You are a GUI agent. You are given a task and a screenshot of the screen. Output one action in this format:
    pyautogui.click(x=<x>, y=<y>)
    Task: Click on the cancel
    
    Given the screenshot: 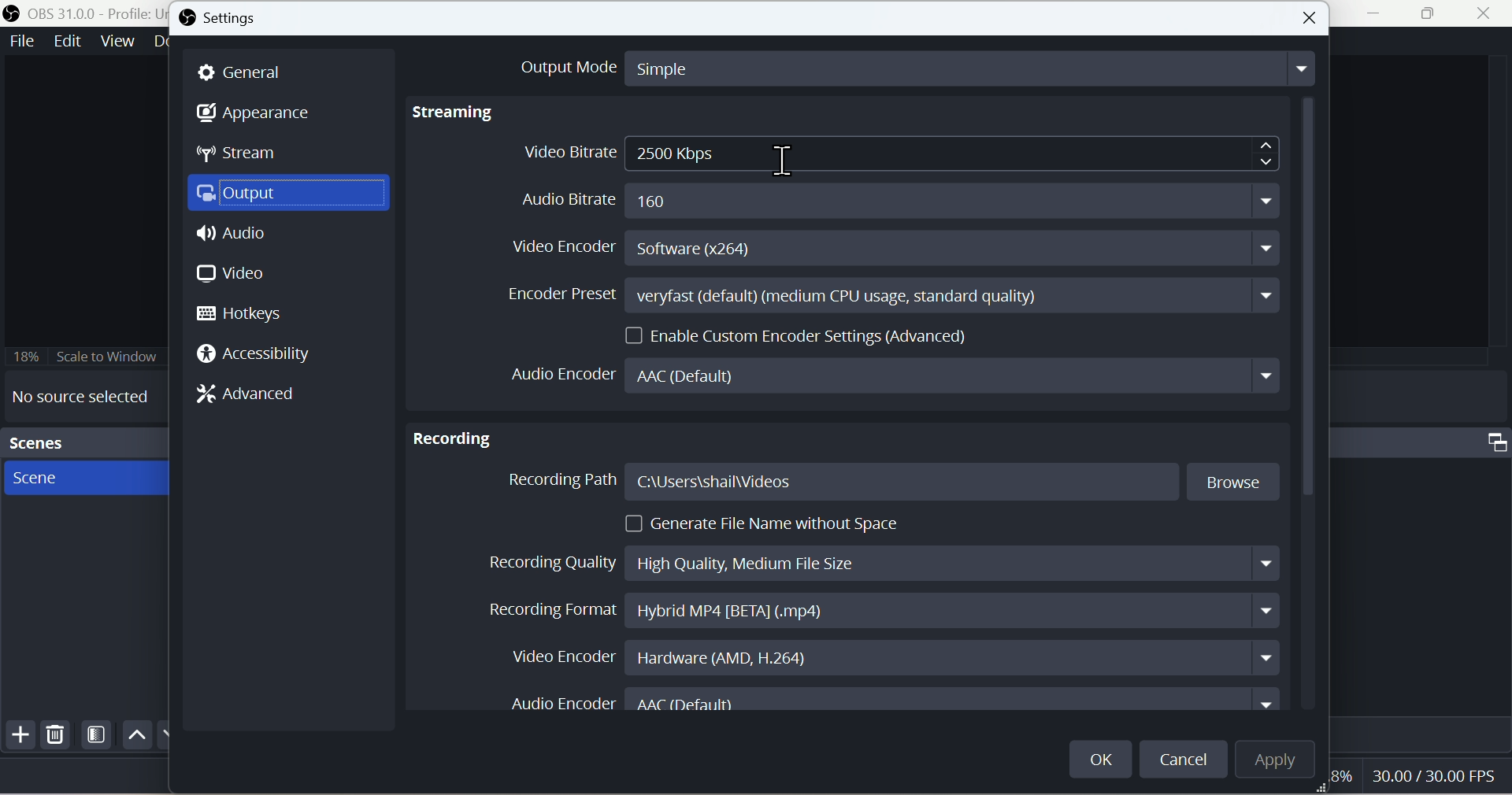 What is the action you would take?
    pyautogui.click(x=1186, y=758)
    